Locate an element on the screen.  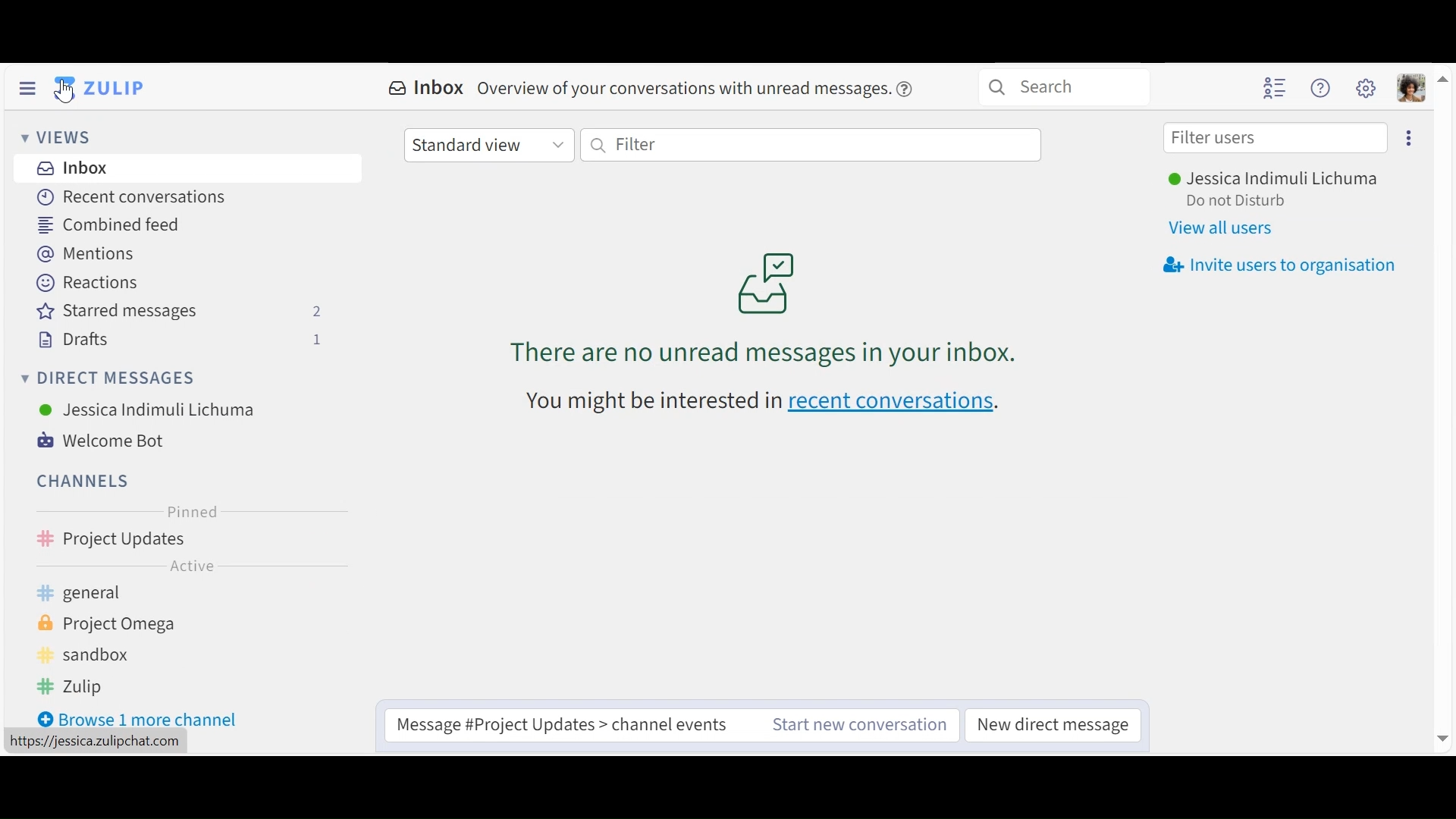
ellipsis is located at coordinates (1410, 138).